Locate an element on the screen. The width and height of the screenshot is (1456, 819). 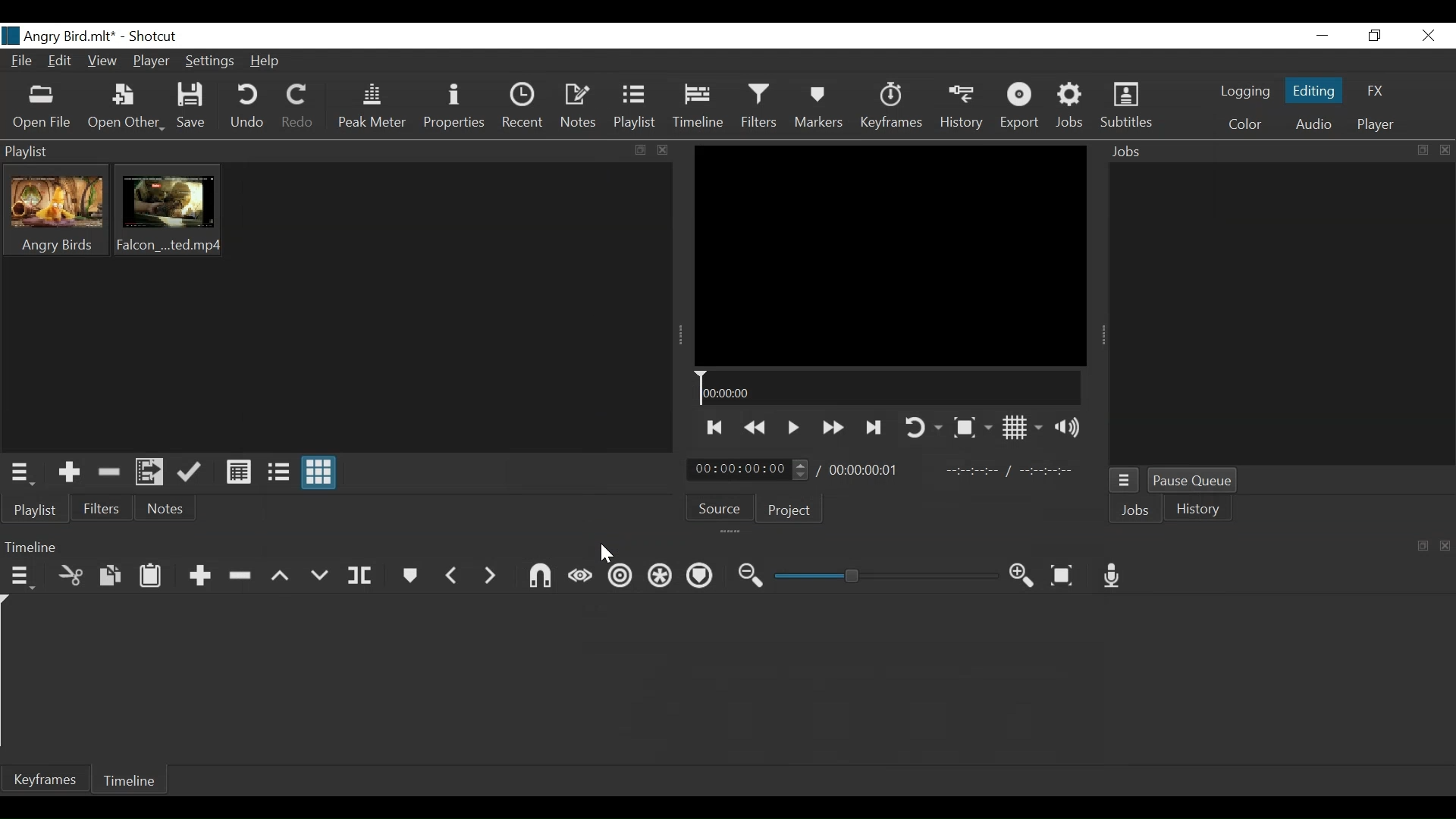
Cursor is located at coordinates (609, 554).